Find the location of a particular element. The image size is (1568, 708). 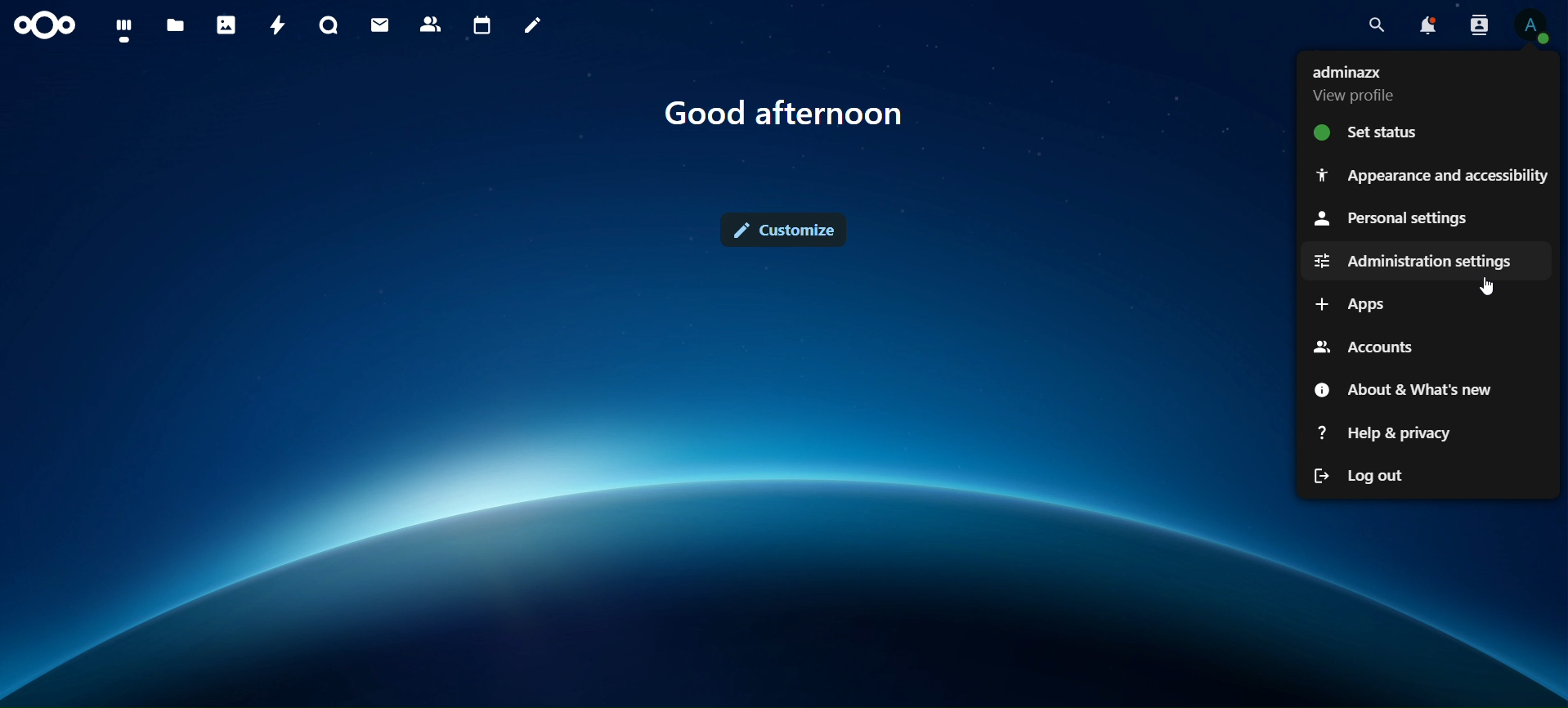

activity is located at coordinates (277, 25).